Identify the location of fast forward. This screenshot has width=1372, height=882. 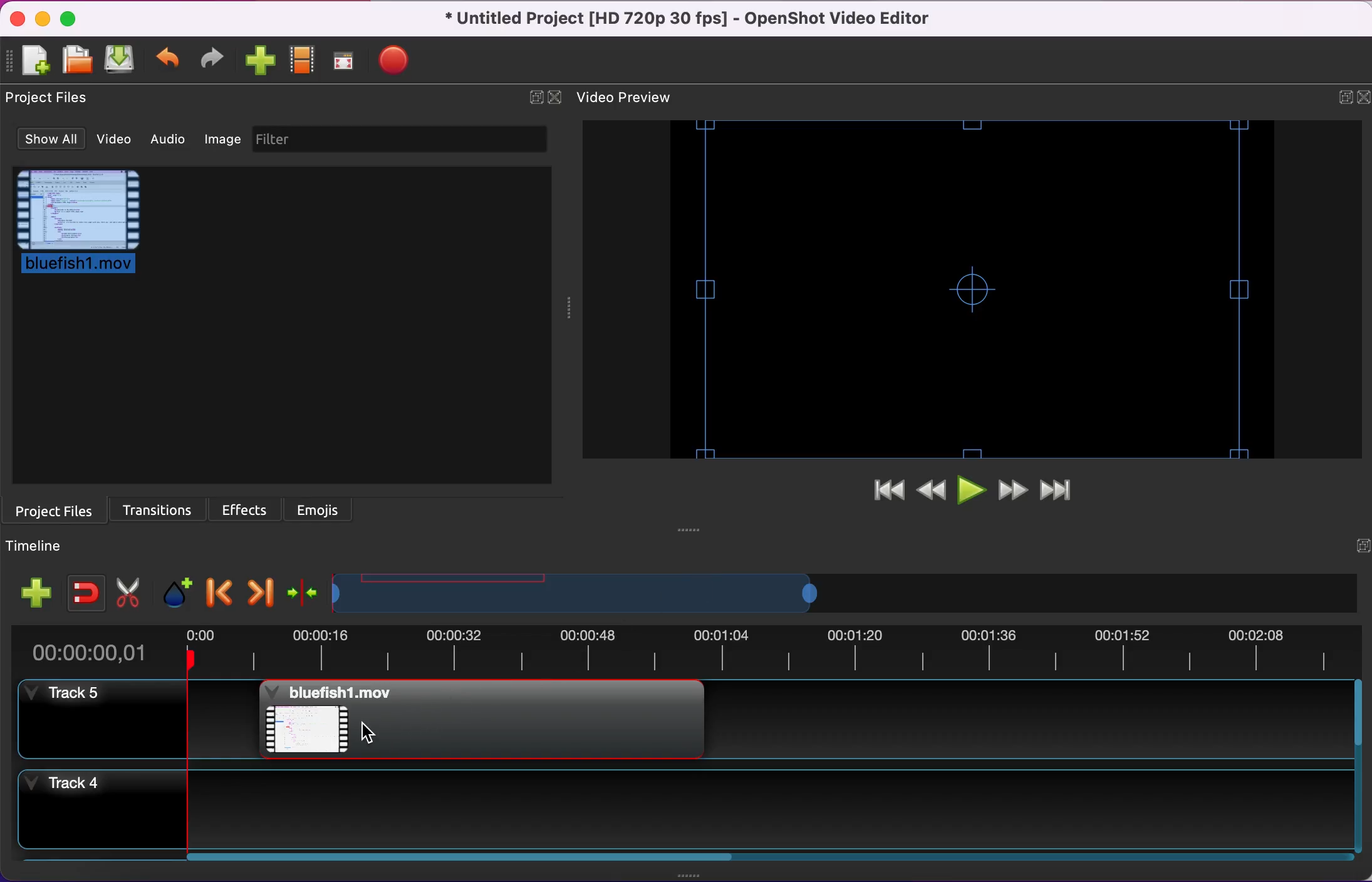
(1009, 489).